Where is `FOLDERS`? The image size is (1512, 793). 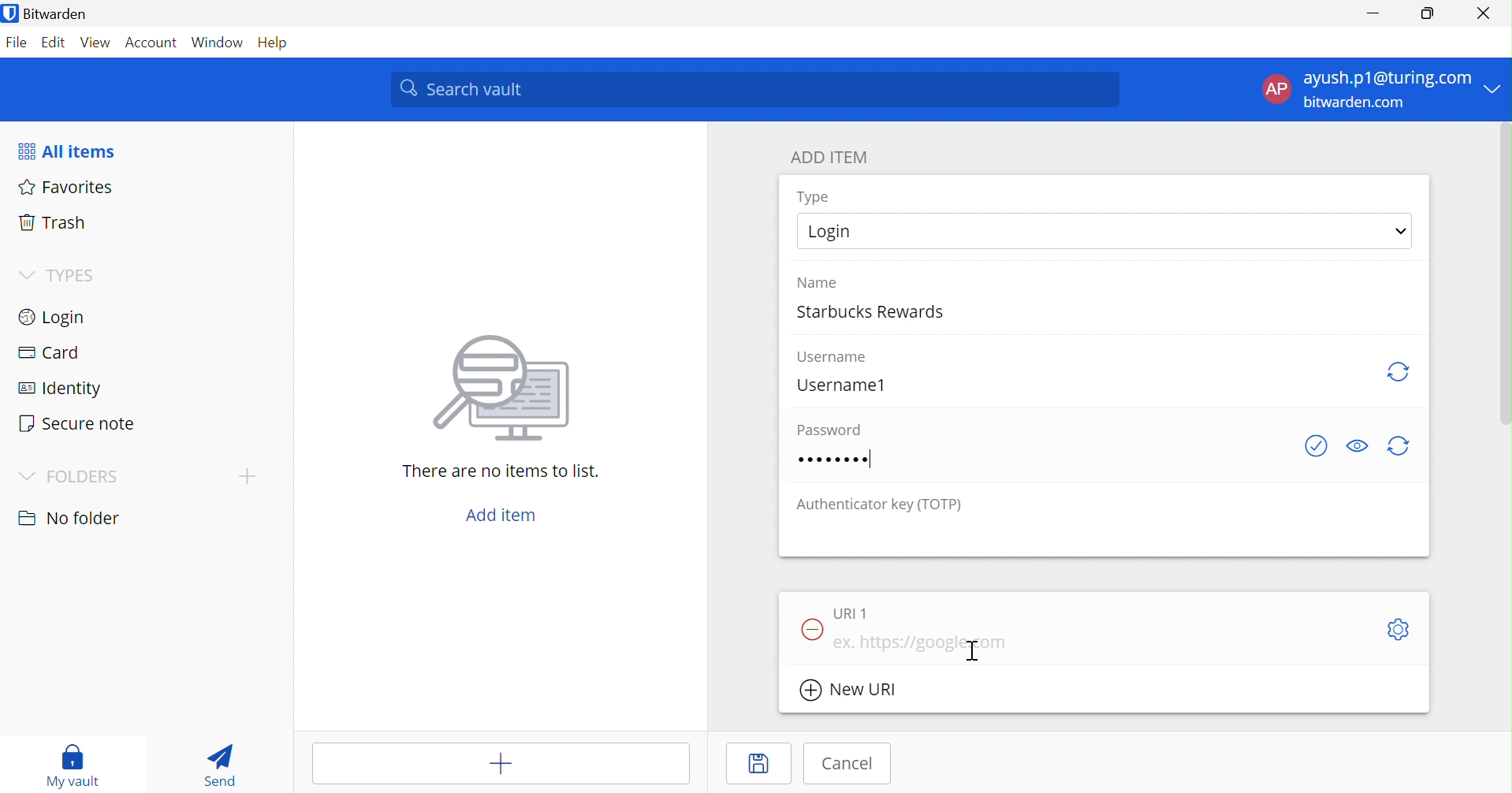 FOLDERS is located at coordinates (84, 478).